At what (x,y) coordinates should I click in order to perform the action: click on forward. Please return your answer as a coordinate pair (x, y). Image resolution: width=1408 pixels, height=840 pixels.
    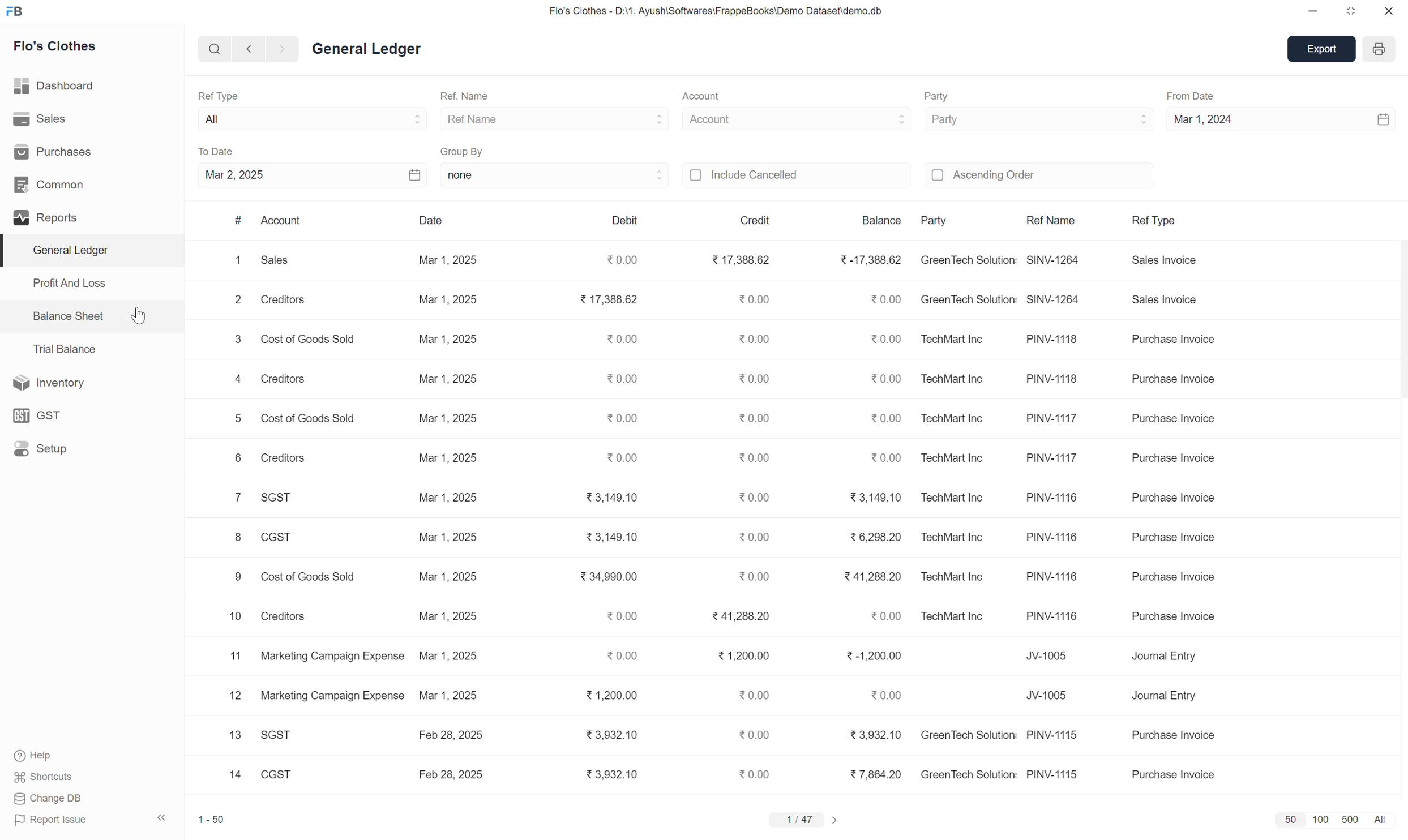
    Looking at the image, I should click on (277, 49).